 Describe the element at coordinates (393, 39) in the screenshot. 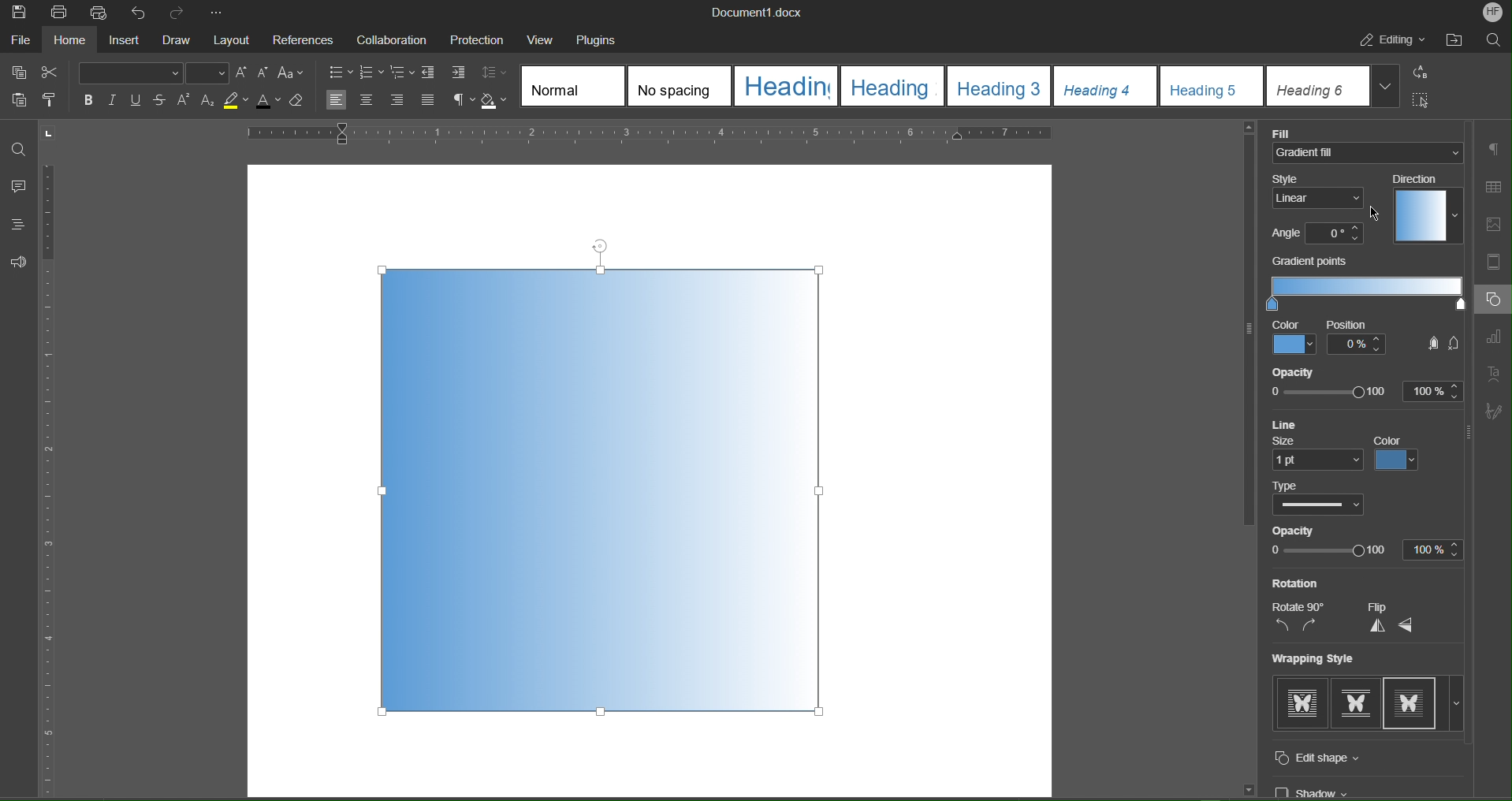

I see `Collaboration` at that location.